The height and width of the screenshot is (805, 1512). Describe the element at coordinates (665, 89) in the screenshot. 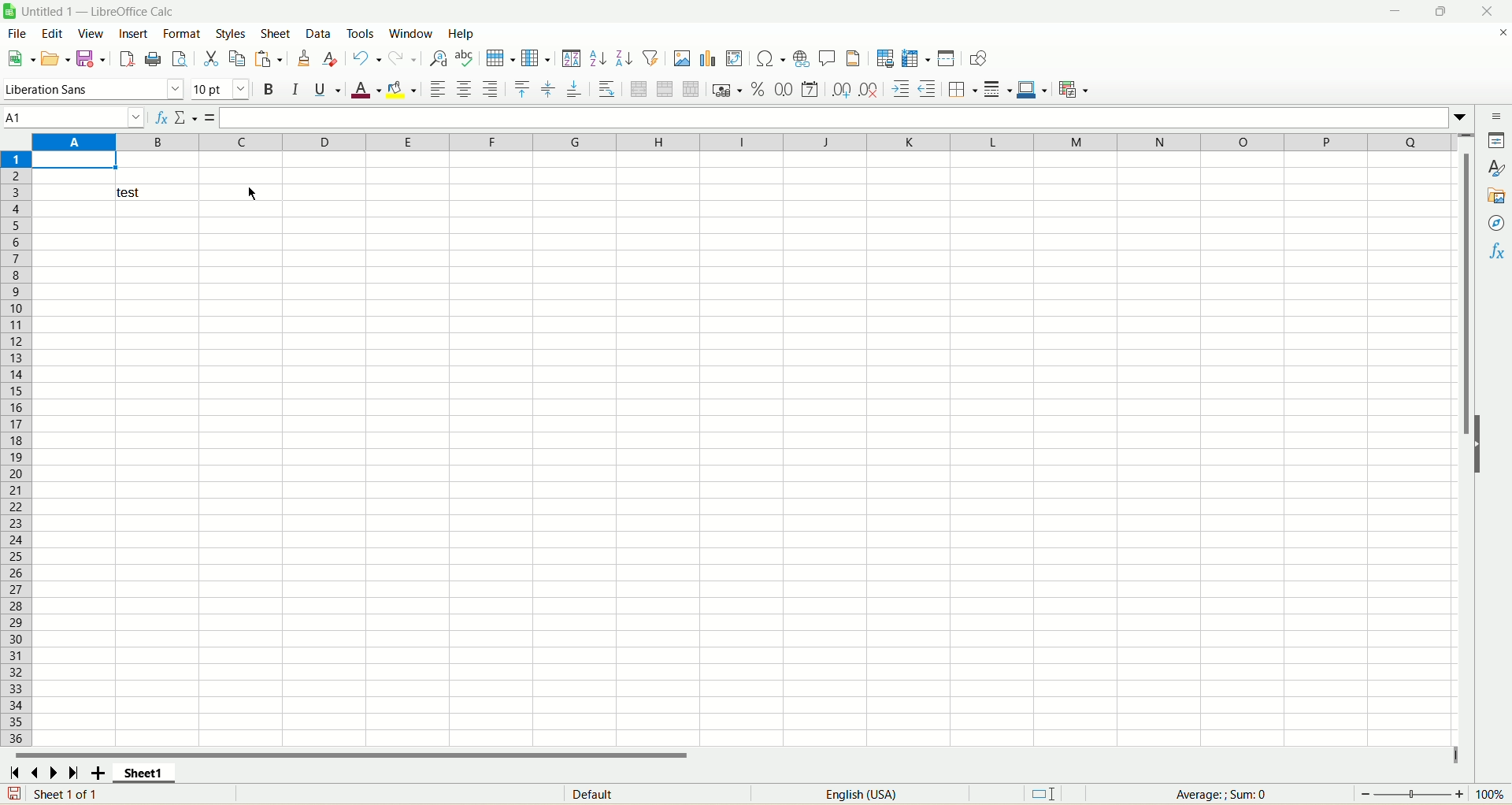

I see `merge` at that location.